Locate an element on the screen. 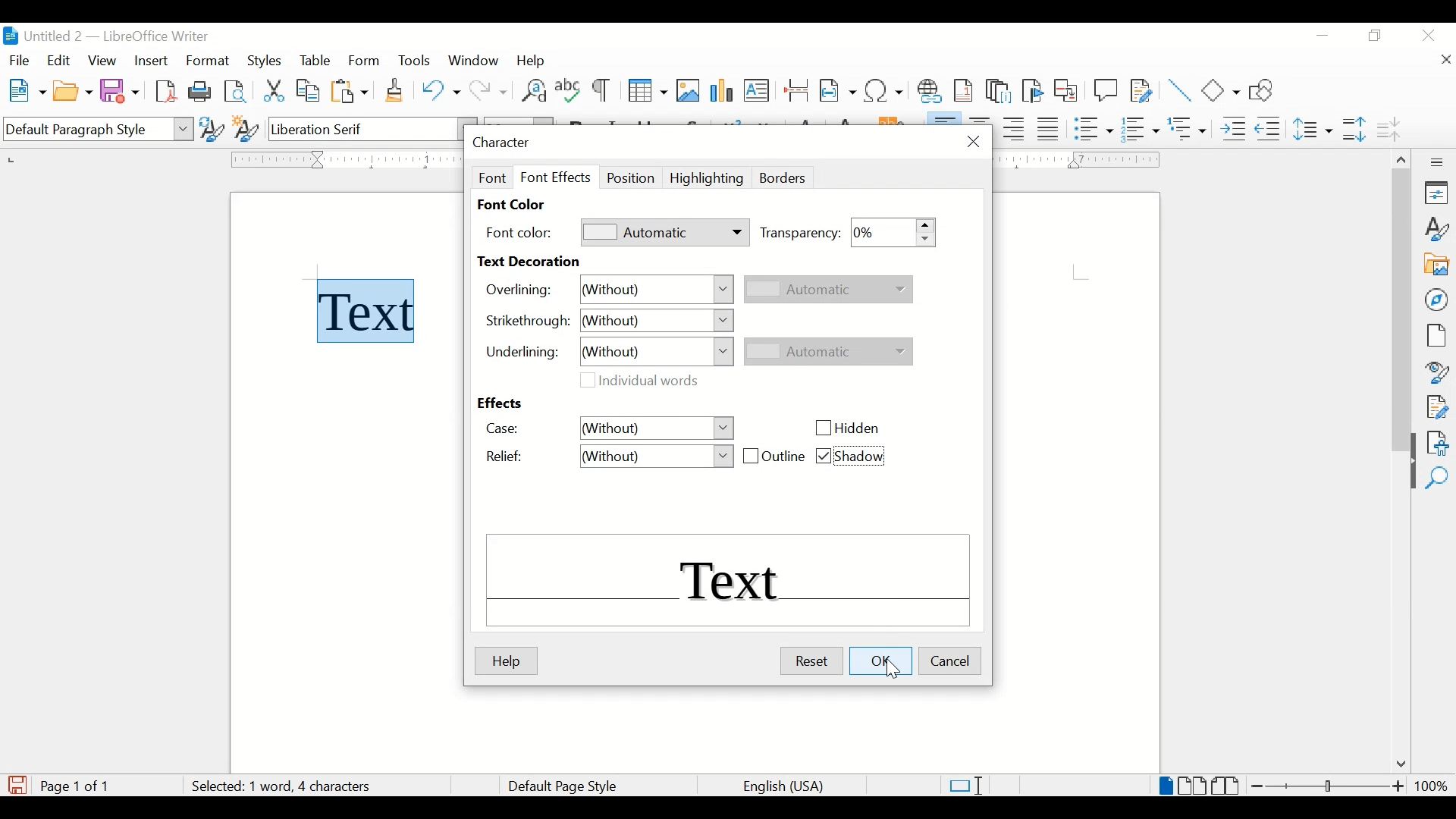  update selected style is located at coordinates (212, 128).